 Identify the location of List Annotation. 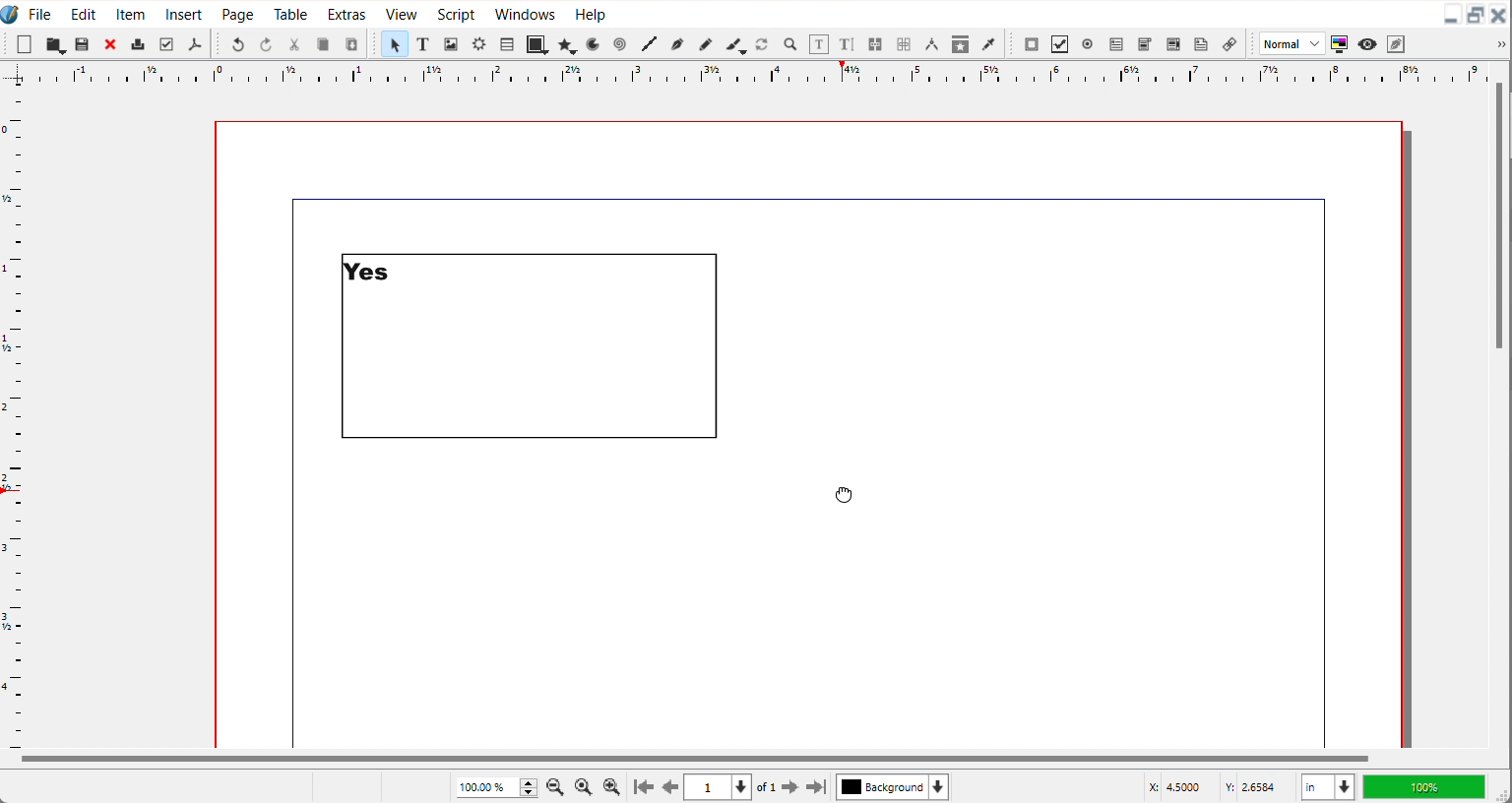
(1228, 43).